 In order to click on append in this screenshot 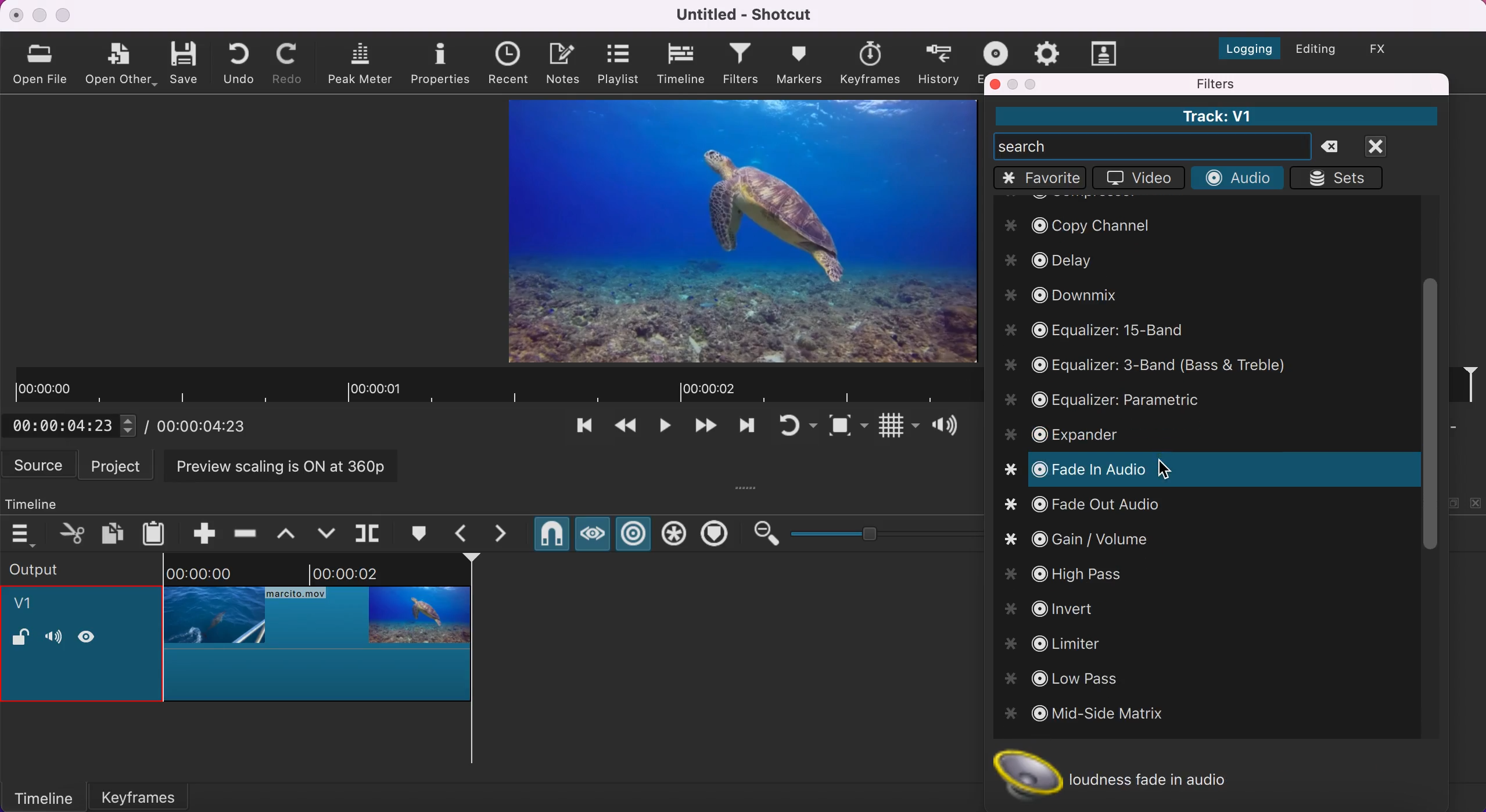, I will do `click(196, 531)`.